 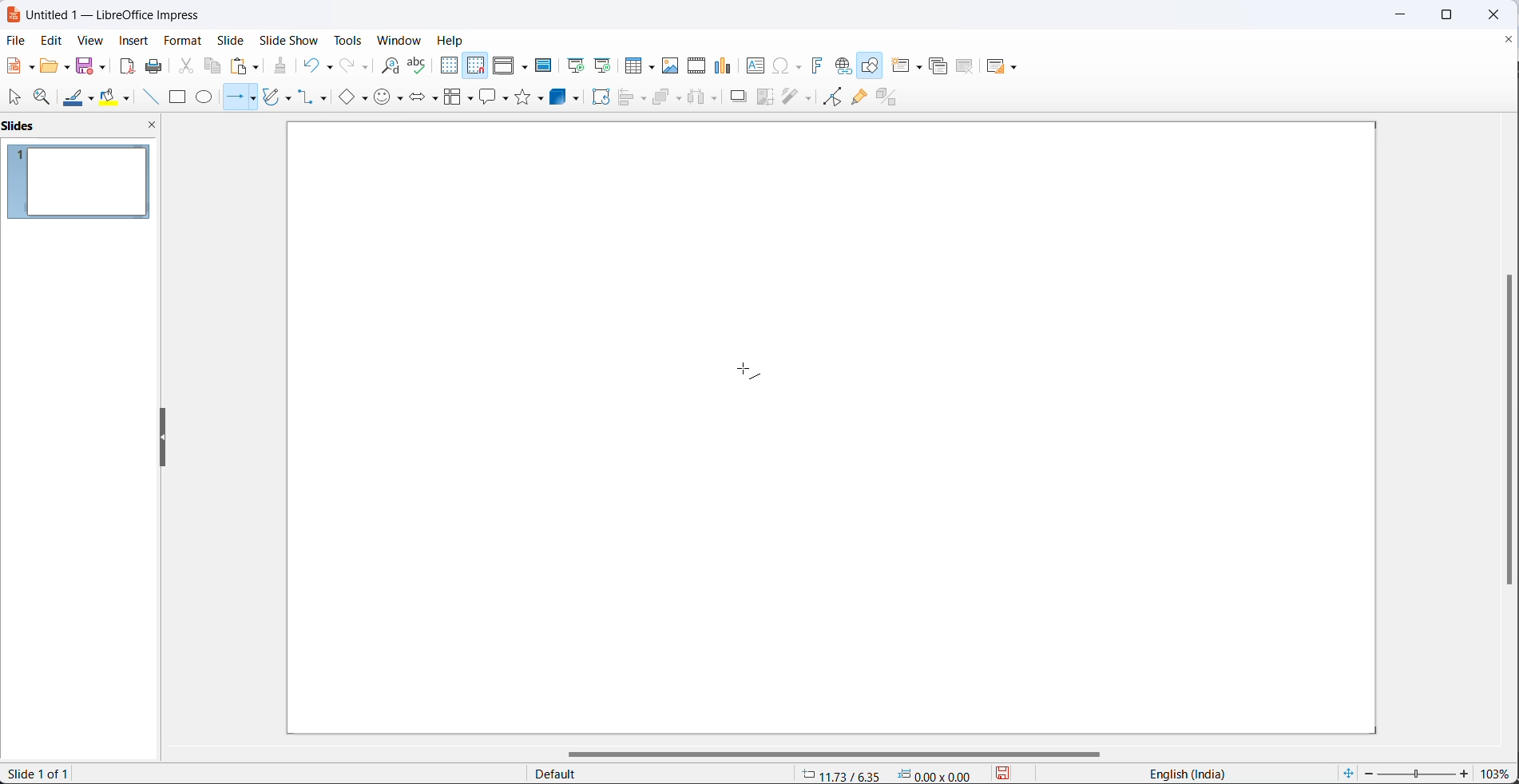 What do you see at coordinates (766, 98) in the screenshot?
I see `crop image` at bounding box center [766, 98].